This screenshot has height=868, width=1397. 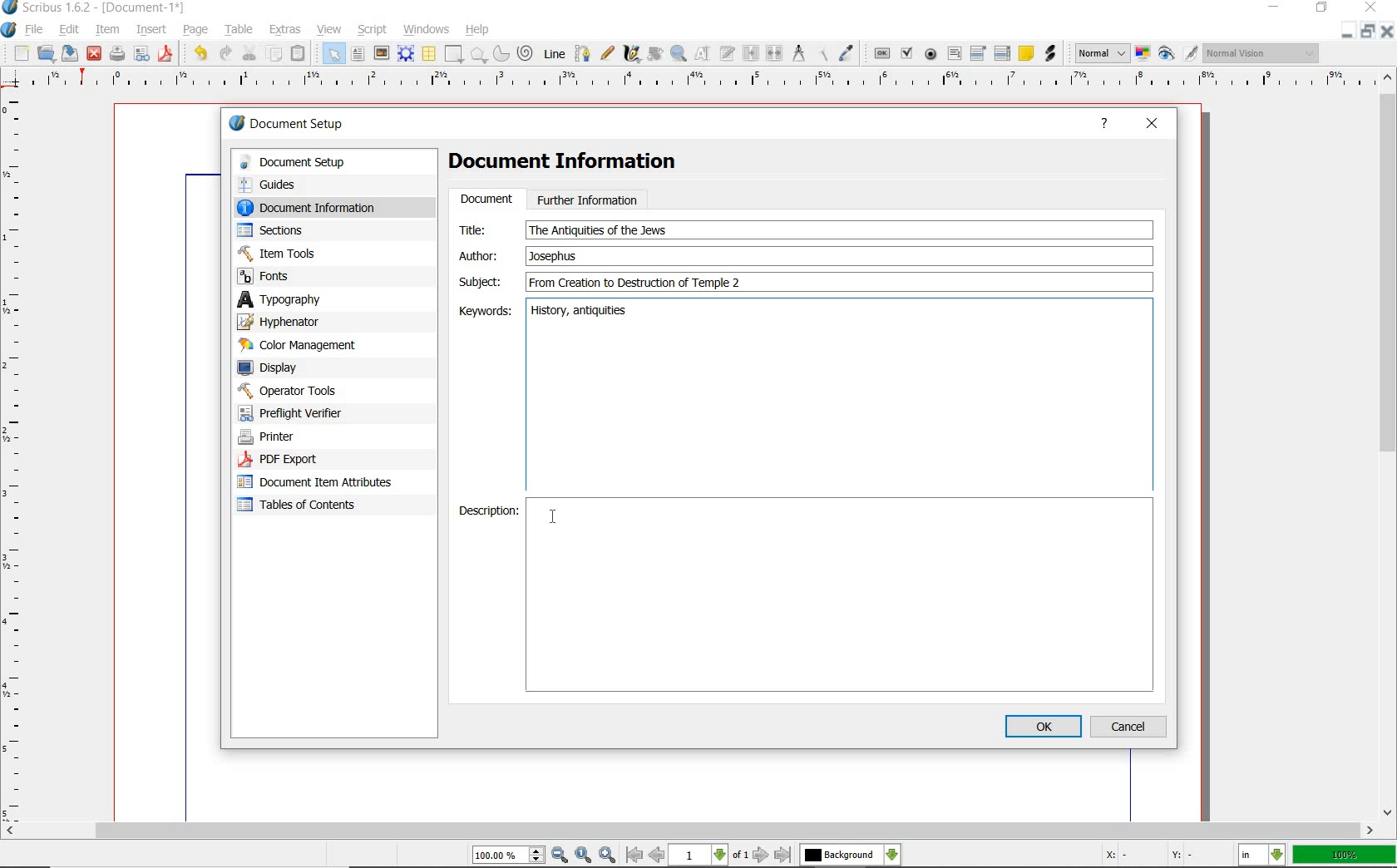 What do you see at coordinates (318, 184) in the screenshot?
I see `guides` at bounding box center [318, 184].